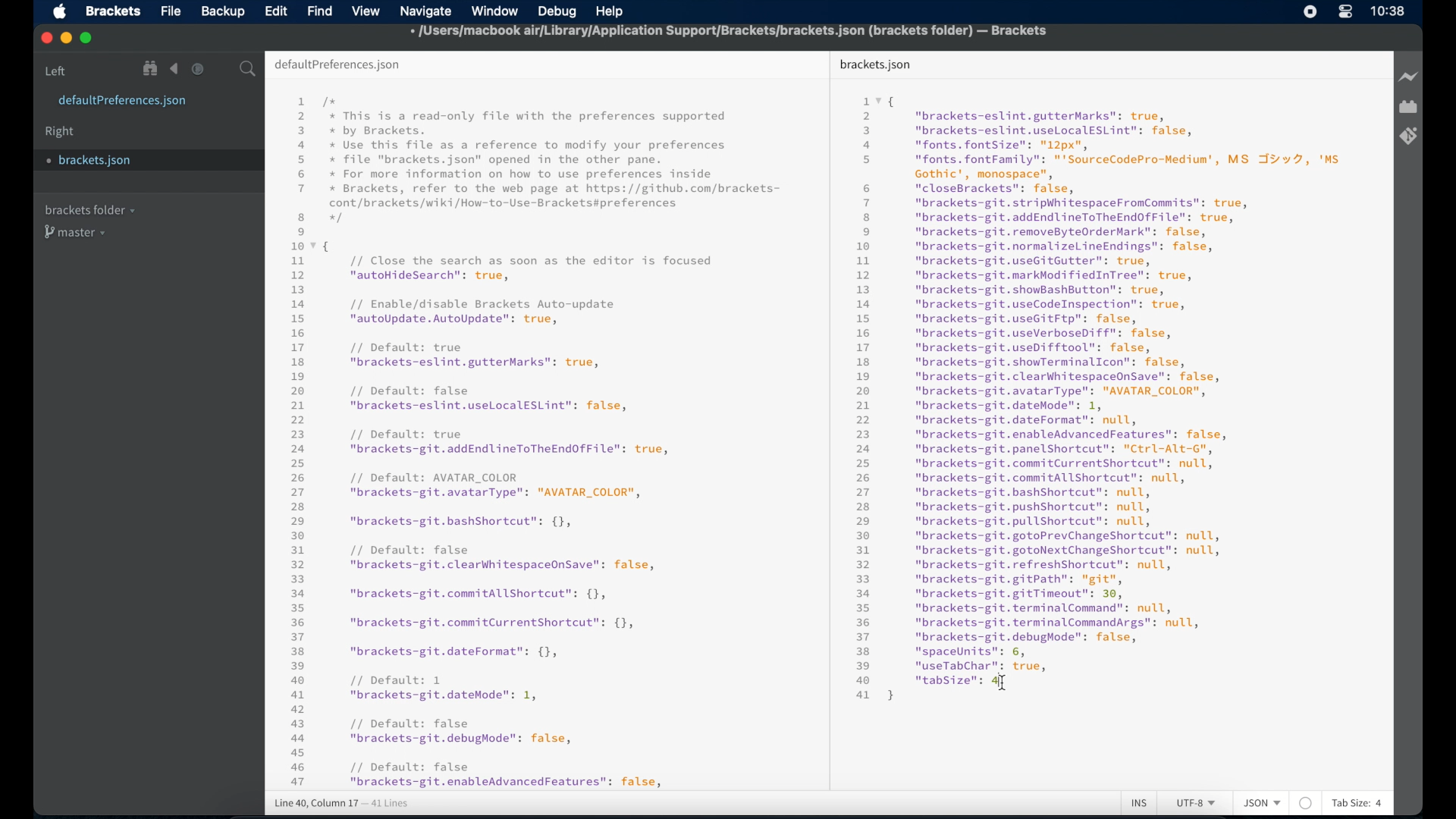  What do you see at coordinates (223, 11) in the screenshot?
I see `backup` at bounding box center [223, 11].